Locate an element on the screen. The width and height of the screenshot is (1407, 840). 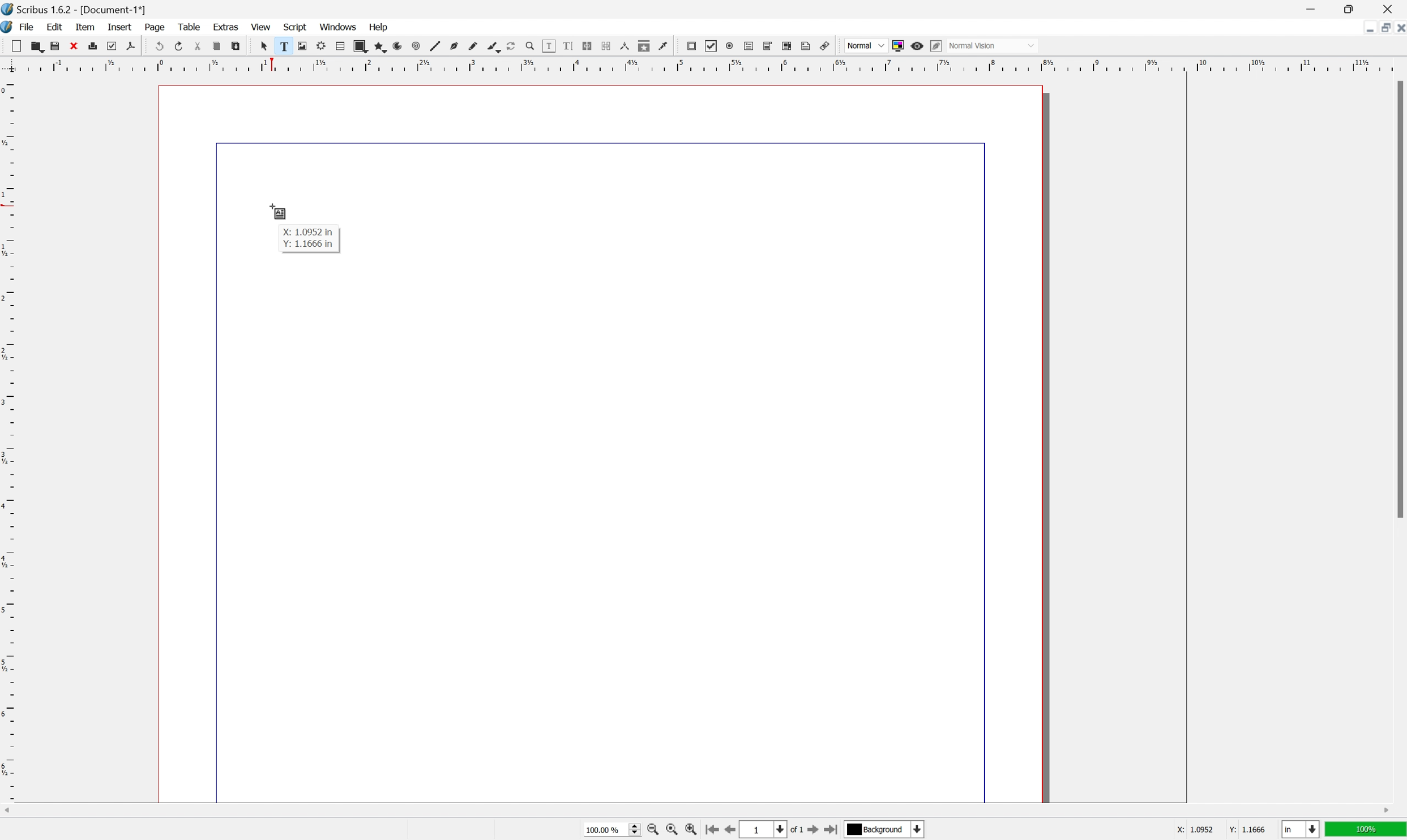
select current unit is located at coordinates (1301, 830).